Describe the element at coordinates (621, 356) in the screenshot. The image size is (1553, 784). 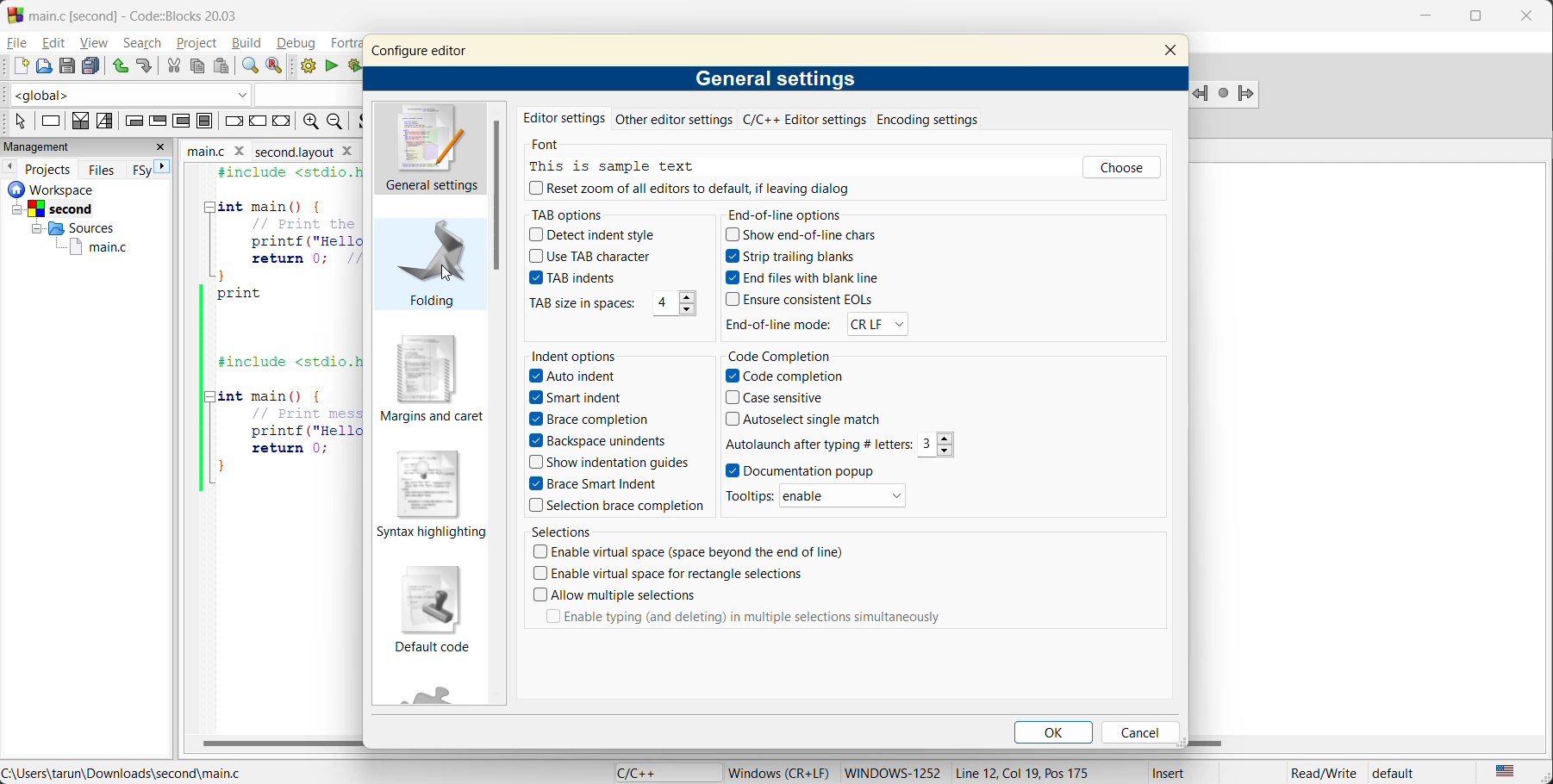
I see `indent options` at that location.